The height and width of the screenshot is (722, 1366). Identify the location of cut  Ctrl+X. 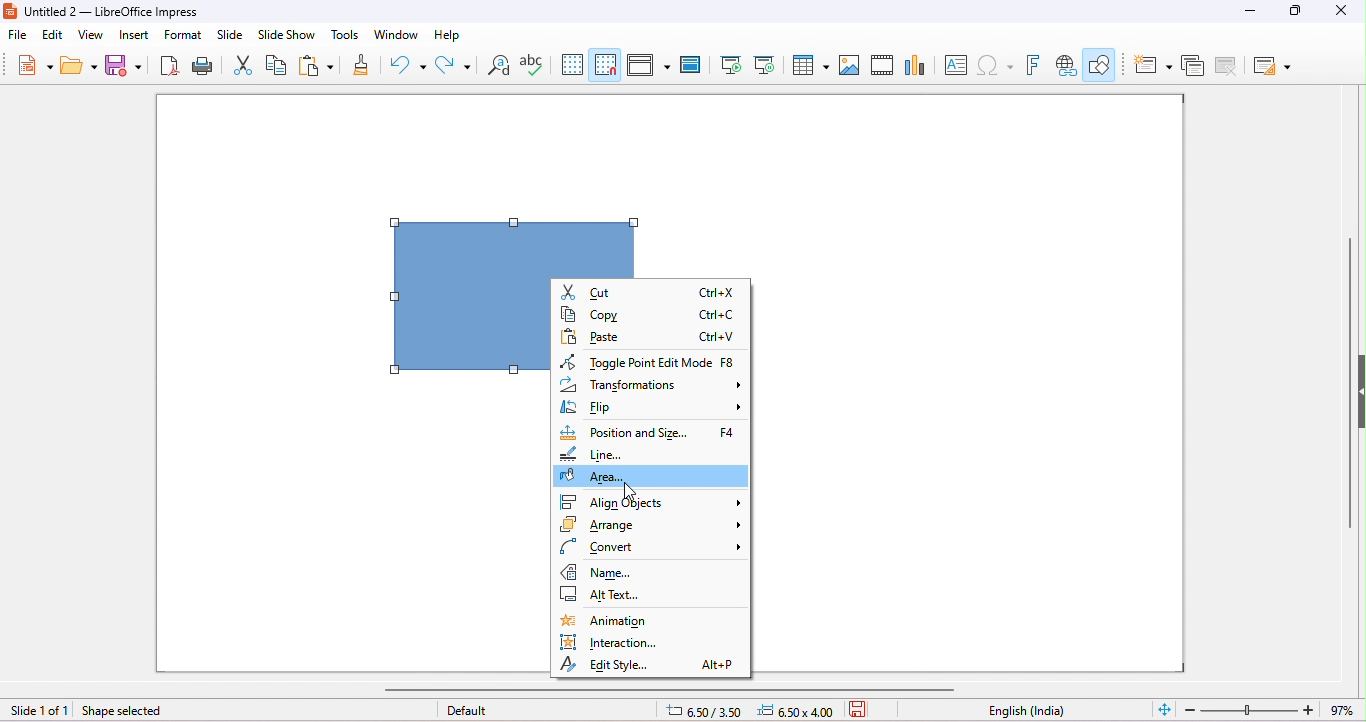
(650, 290).